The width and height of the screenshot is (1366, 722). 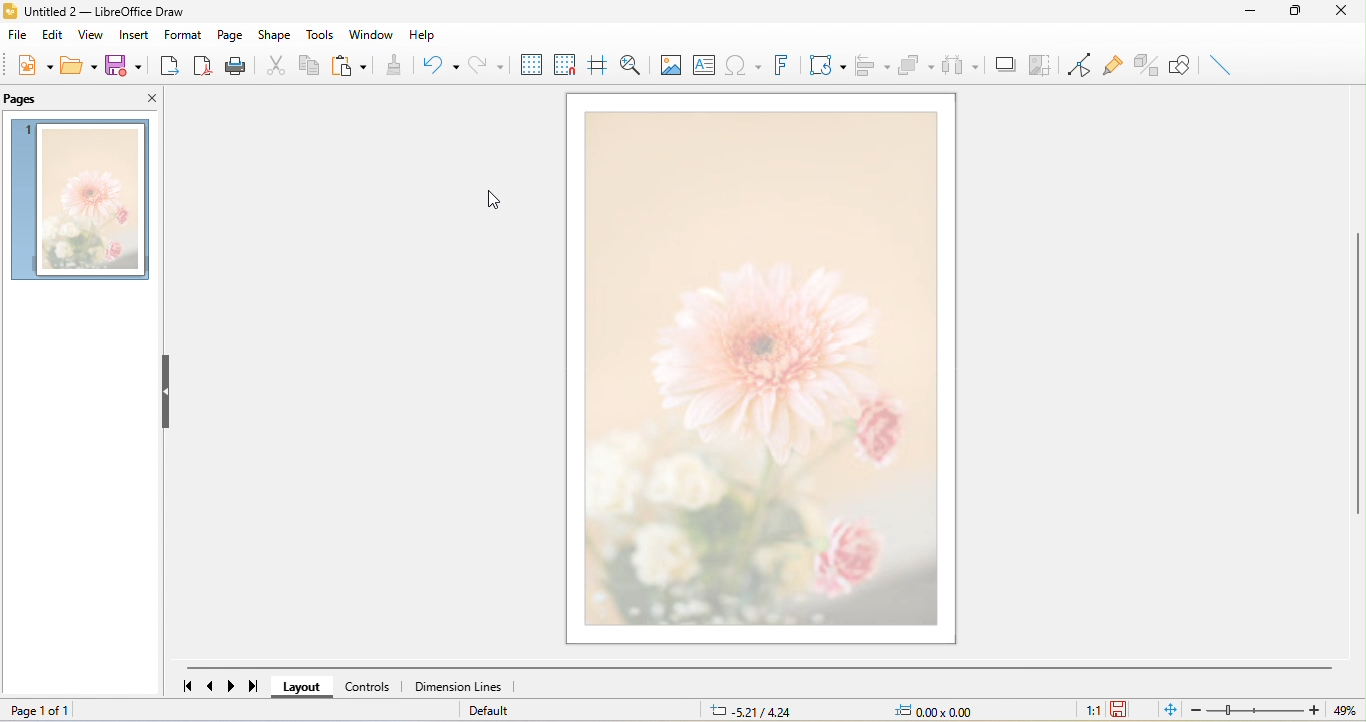 What do you see at coordinates (490, 61) in the screenshot?
I see `redo` at bounding box center [490, 61].